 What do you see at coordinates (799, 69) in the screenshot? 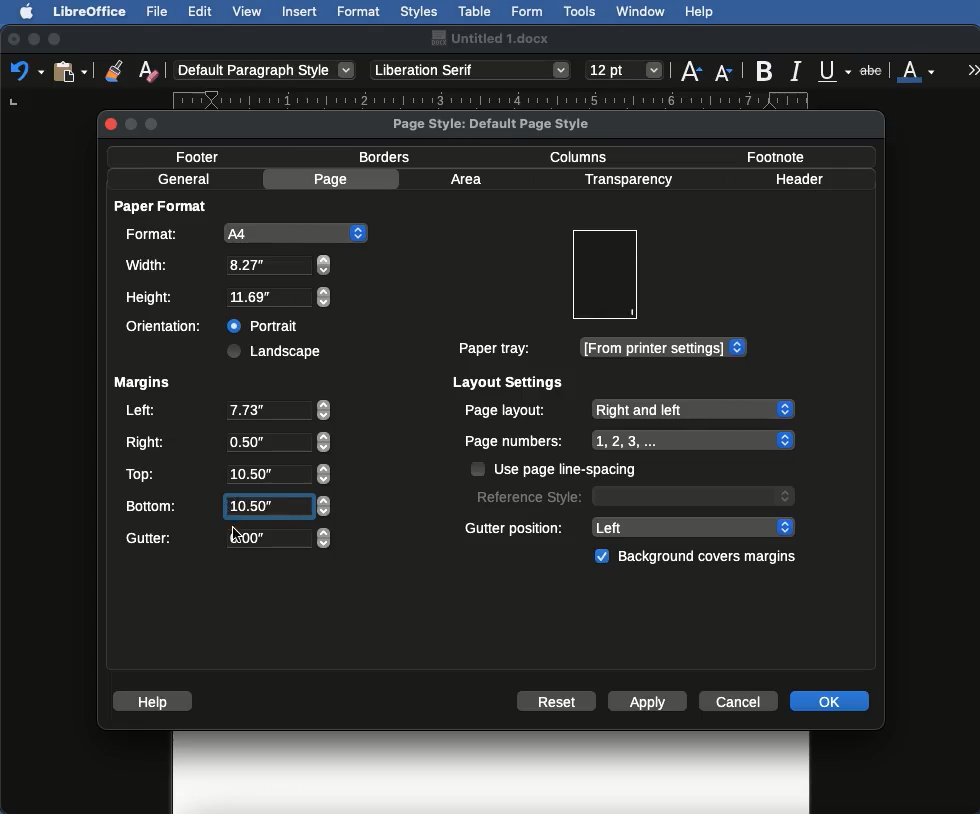
I see `Italics` at bounding box center [799, 69].